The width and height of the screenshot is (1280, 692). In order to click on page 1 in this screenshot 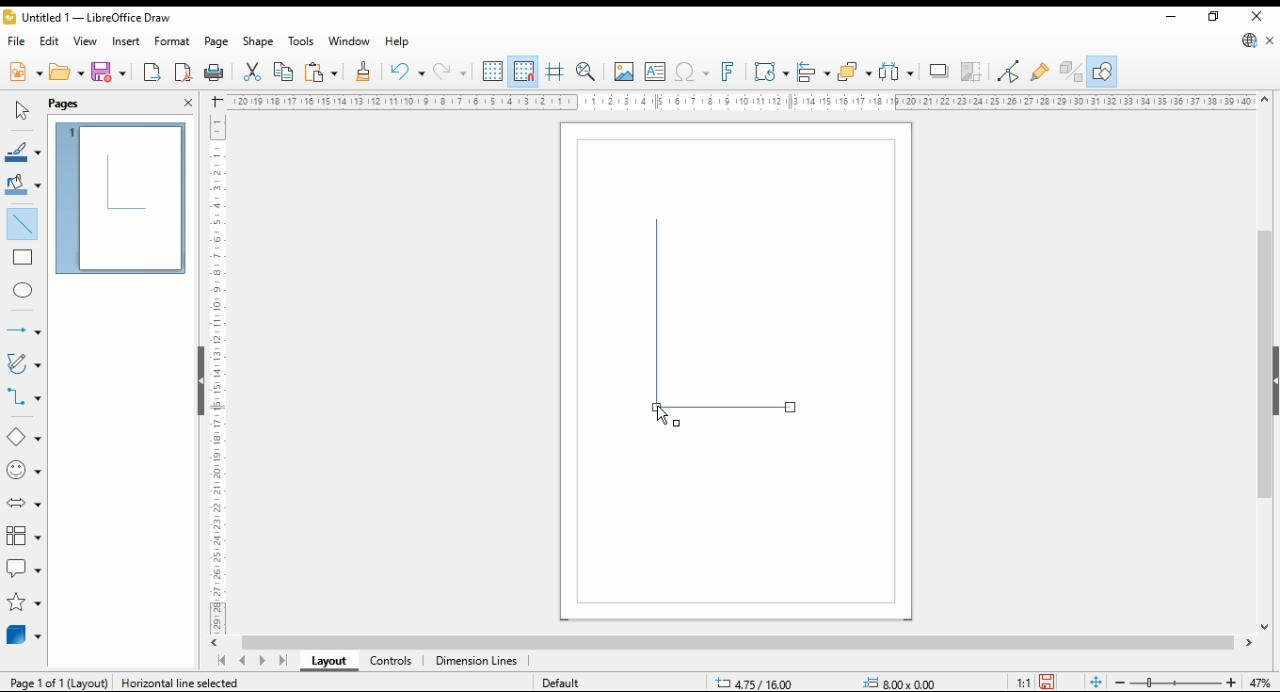, I will do `click(123, 195)`.